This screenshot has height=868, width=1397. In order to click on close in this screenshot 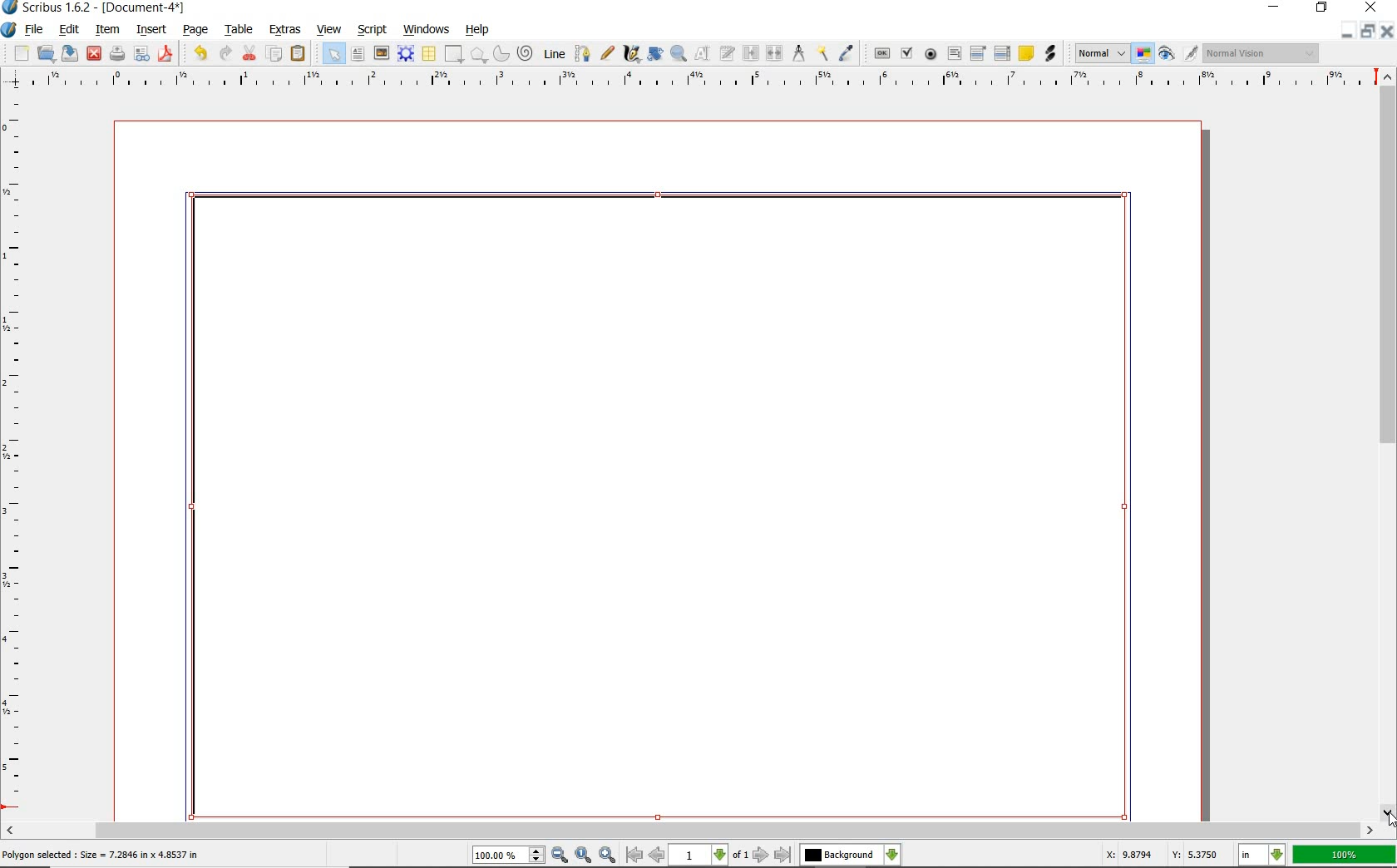, I will do `click(1370, 8)`.